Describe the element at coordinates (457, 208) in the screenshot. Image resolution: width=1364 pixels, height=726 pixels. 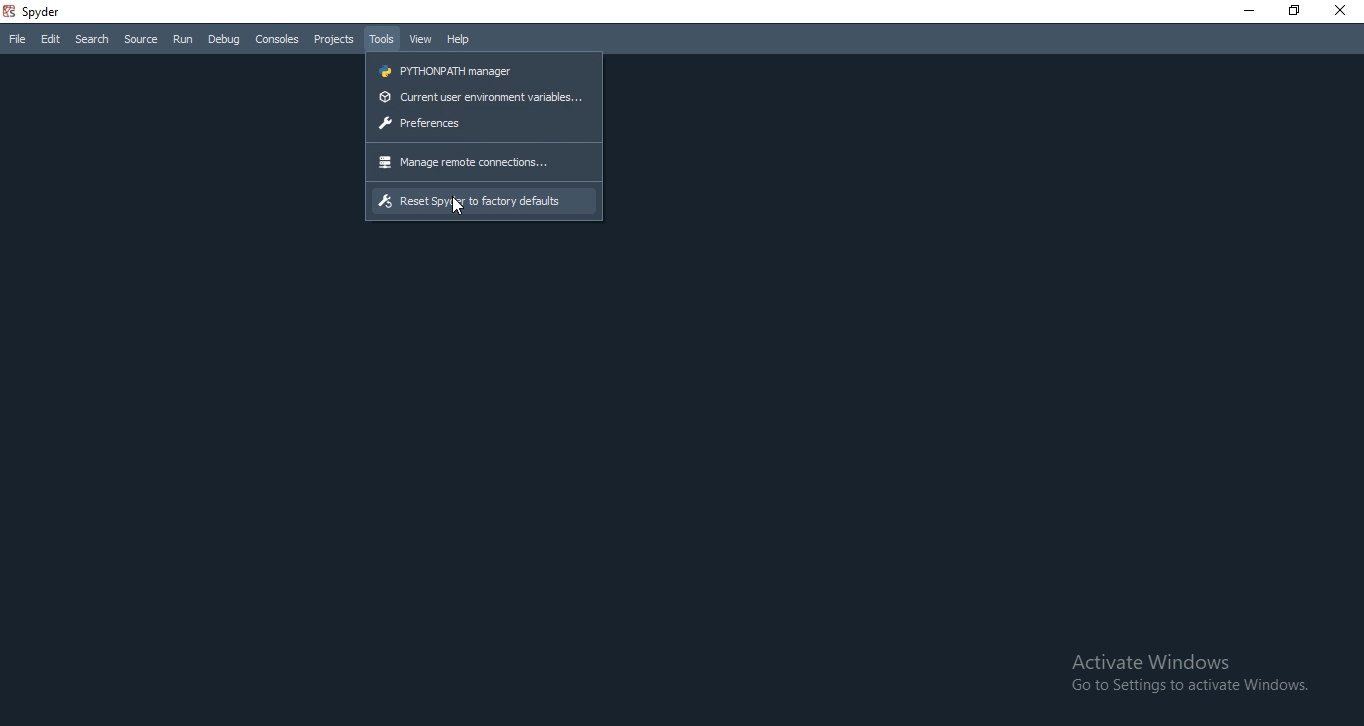
I see `cursor` at that location.